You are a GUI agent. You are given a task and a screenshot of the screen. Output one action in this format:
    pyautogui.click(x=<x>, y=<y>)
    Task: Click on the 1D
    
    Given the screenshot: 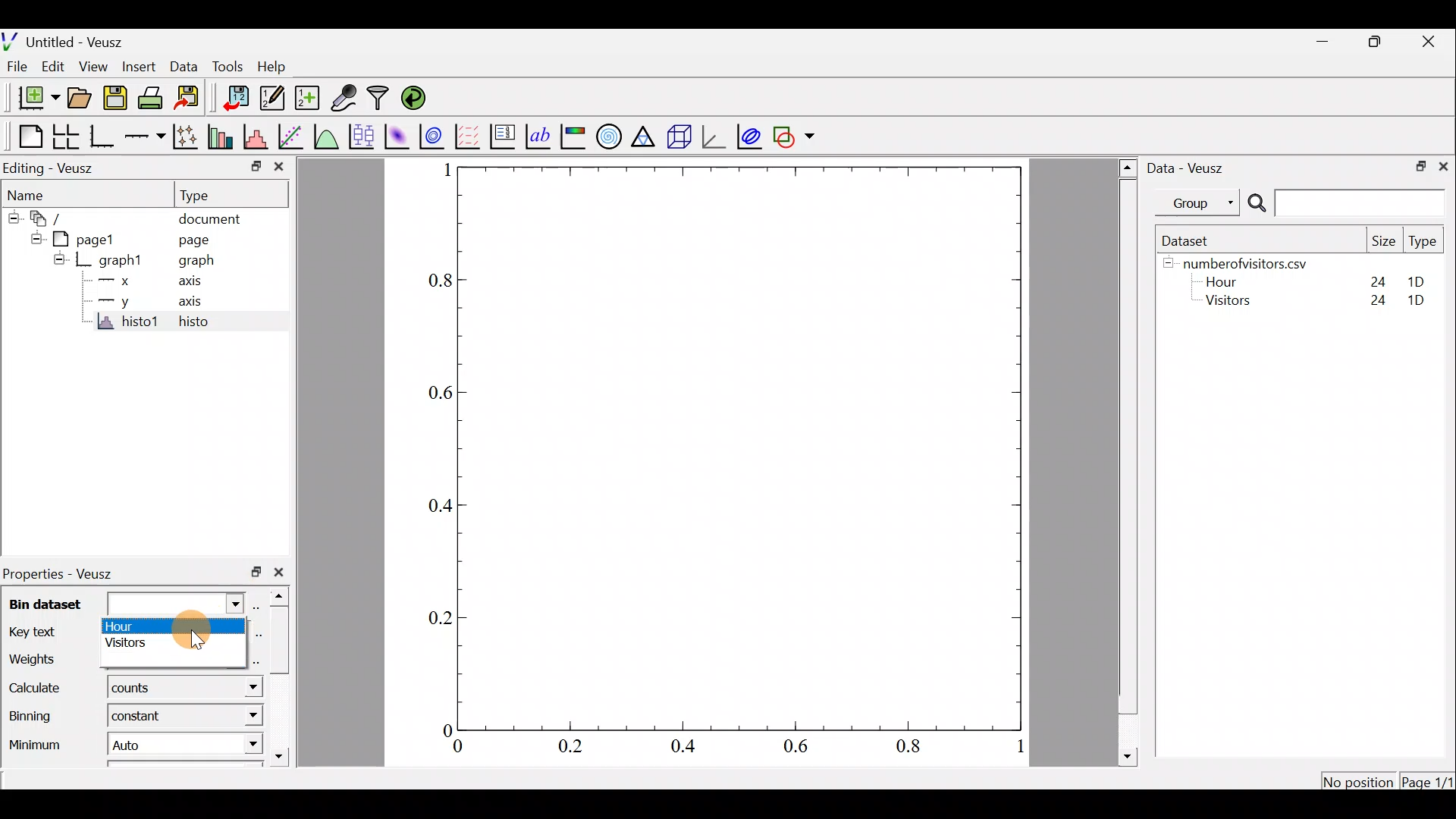 What is the action you would take?
    pyautogui.click(x=1421, y=300)
    